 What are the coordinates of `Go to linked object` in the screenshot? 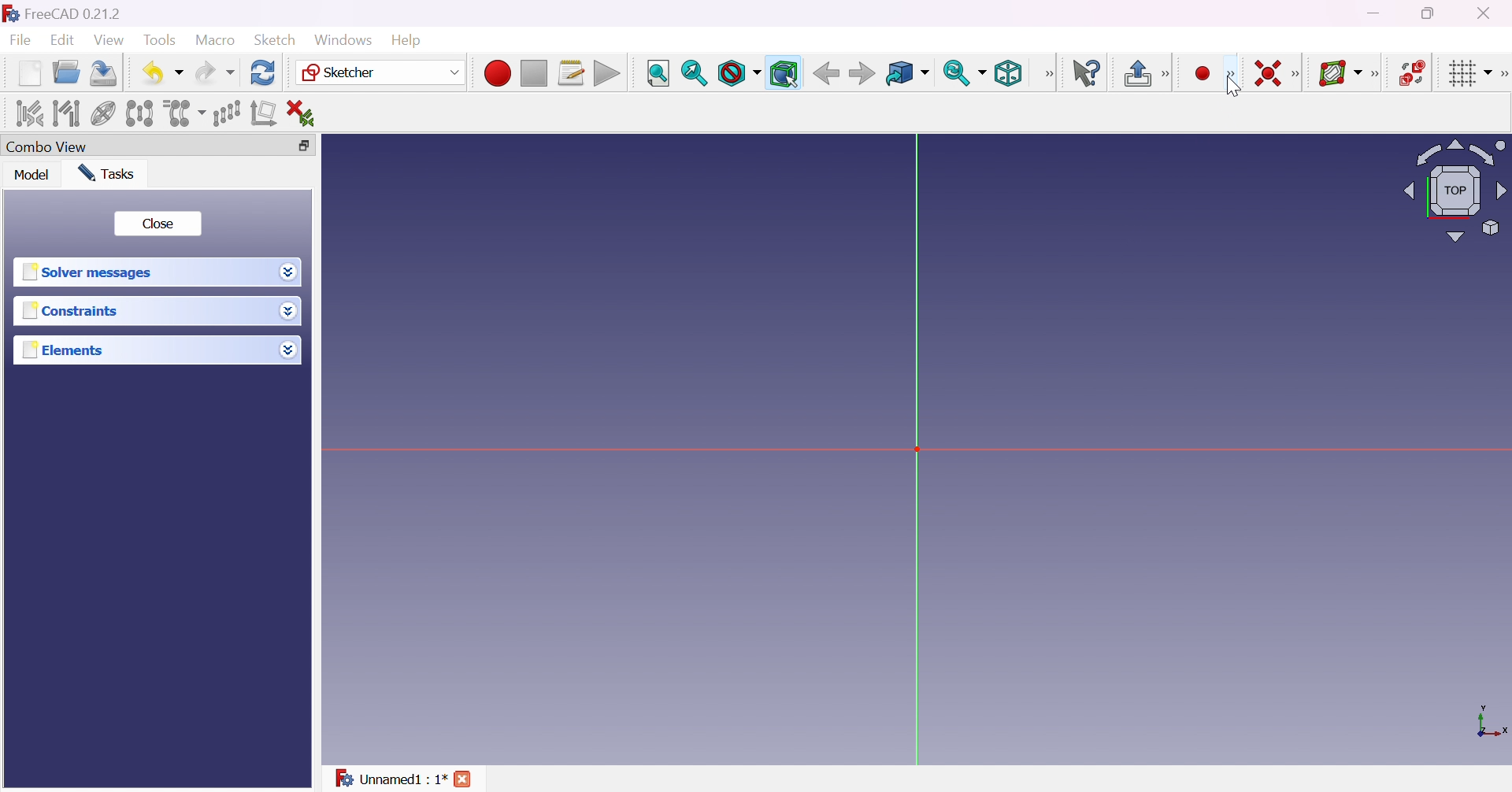 It's located at (906, 74).